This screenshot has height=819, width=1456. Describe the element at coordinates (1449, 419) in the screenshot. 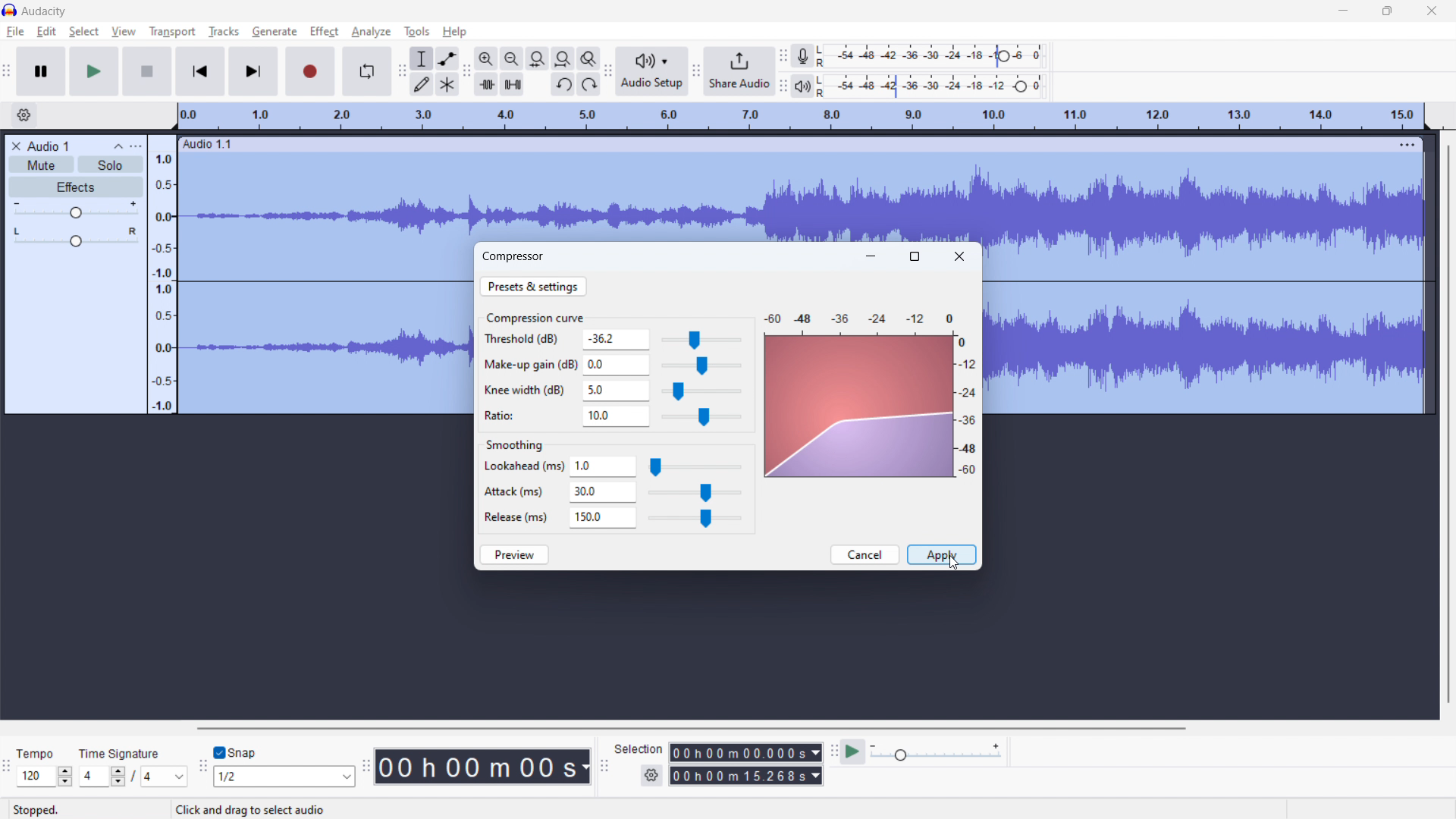

I see `vertical scrollbar` at that location.